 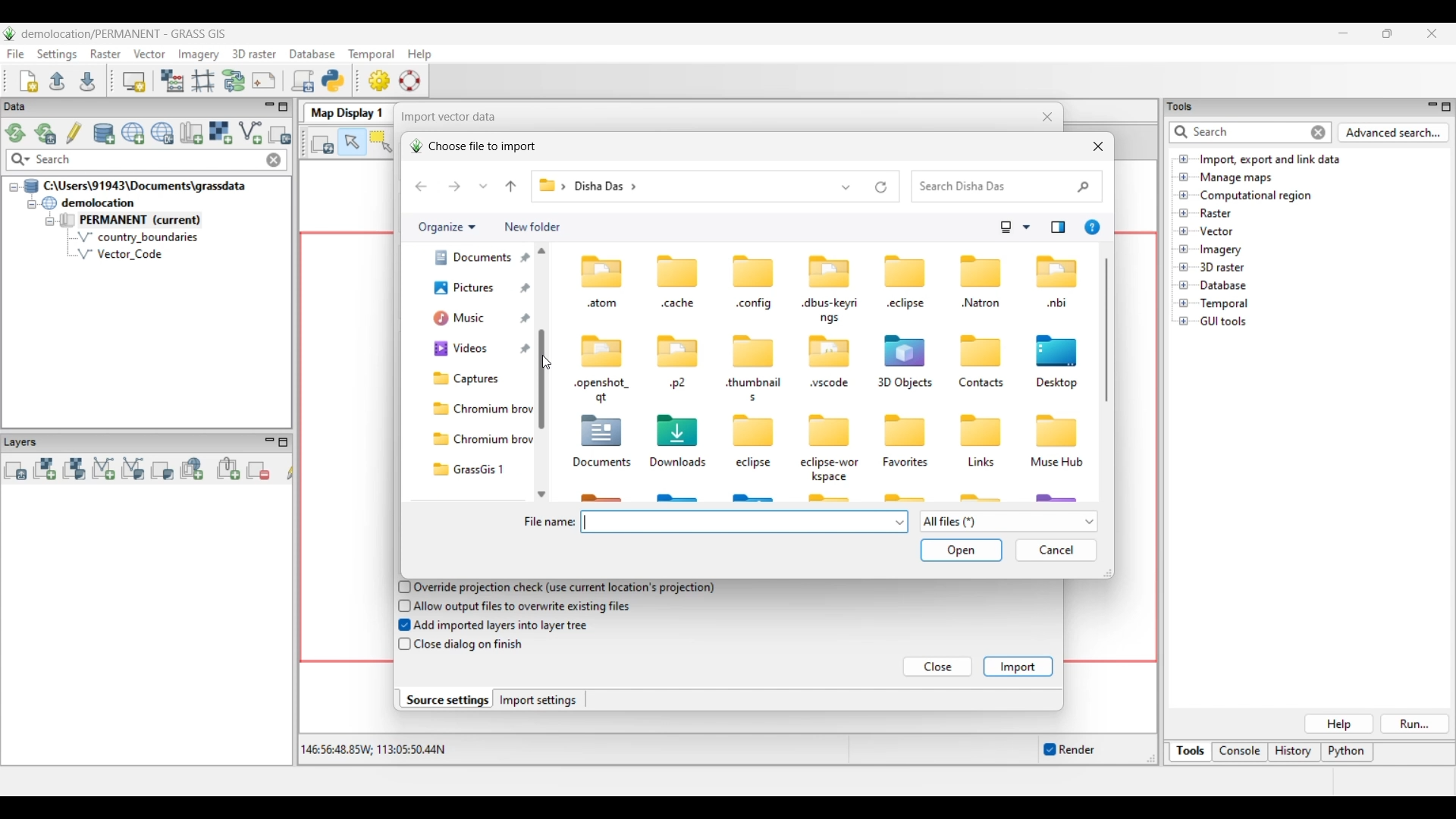 What do you see at coordinates (1008, 522) in the screenshot?
I see `Show list of file options` at bounding box center [1008, 522].